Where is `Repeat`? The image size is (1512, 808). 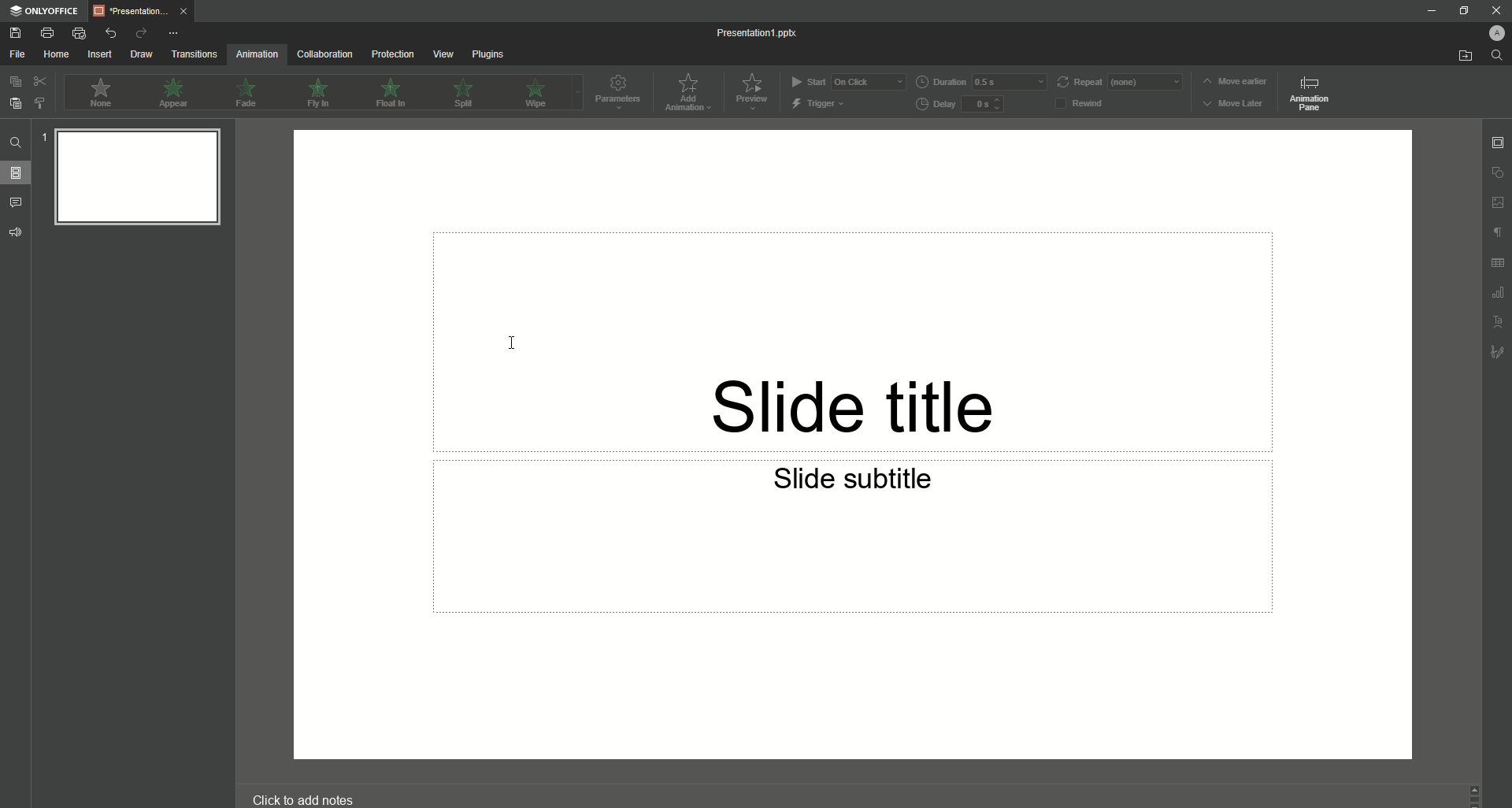
Repeat is located at coordinates (1121, 82).